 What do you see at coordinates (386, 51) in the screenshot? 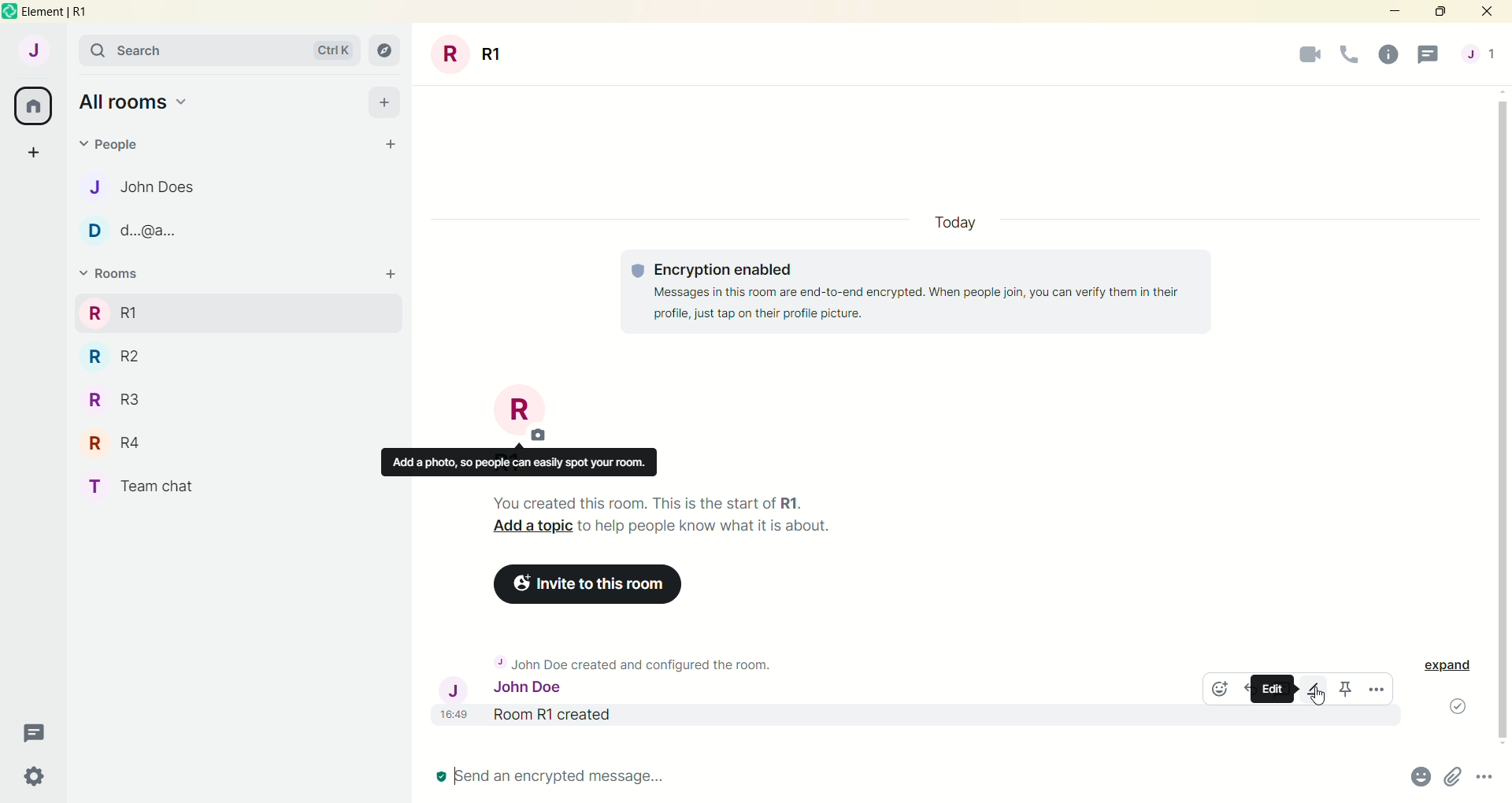
I see `explore room` at bounding box center [386, 51].